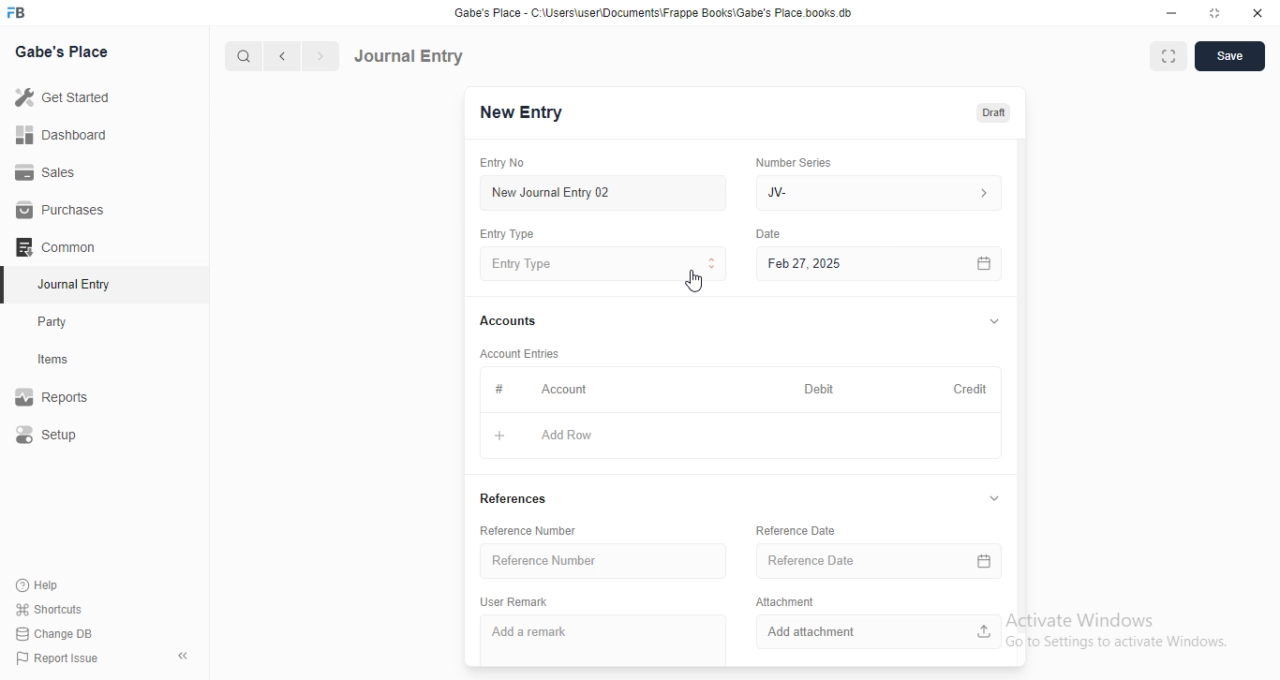  Describe the element at coordinates (515, 499) in the screenshot. I see `References` at that location.